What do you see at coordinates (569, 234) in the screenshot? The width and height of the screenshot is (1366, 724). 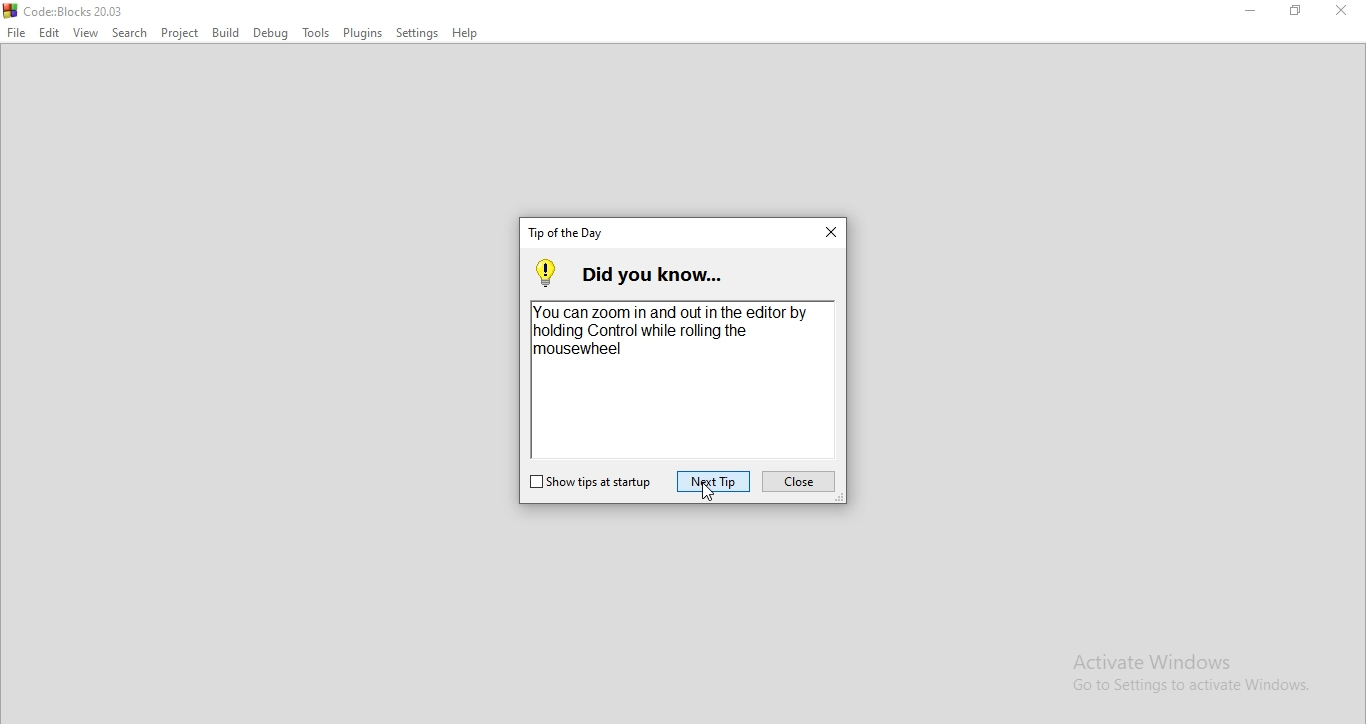 I see `tab title` at bounding box center [569, 234].